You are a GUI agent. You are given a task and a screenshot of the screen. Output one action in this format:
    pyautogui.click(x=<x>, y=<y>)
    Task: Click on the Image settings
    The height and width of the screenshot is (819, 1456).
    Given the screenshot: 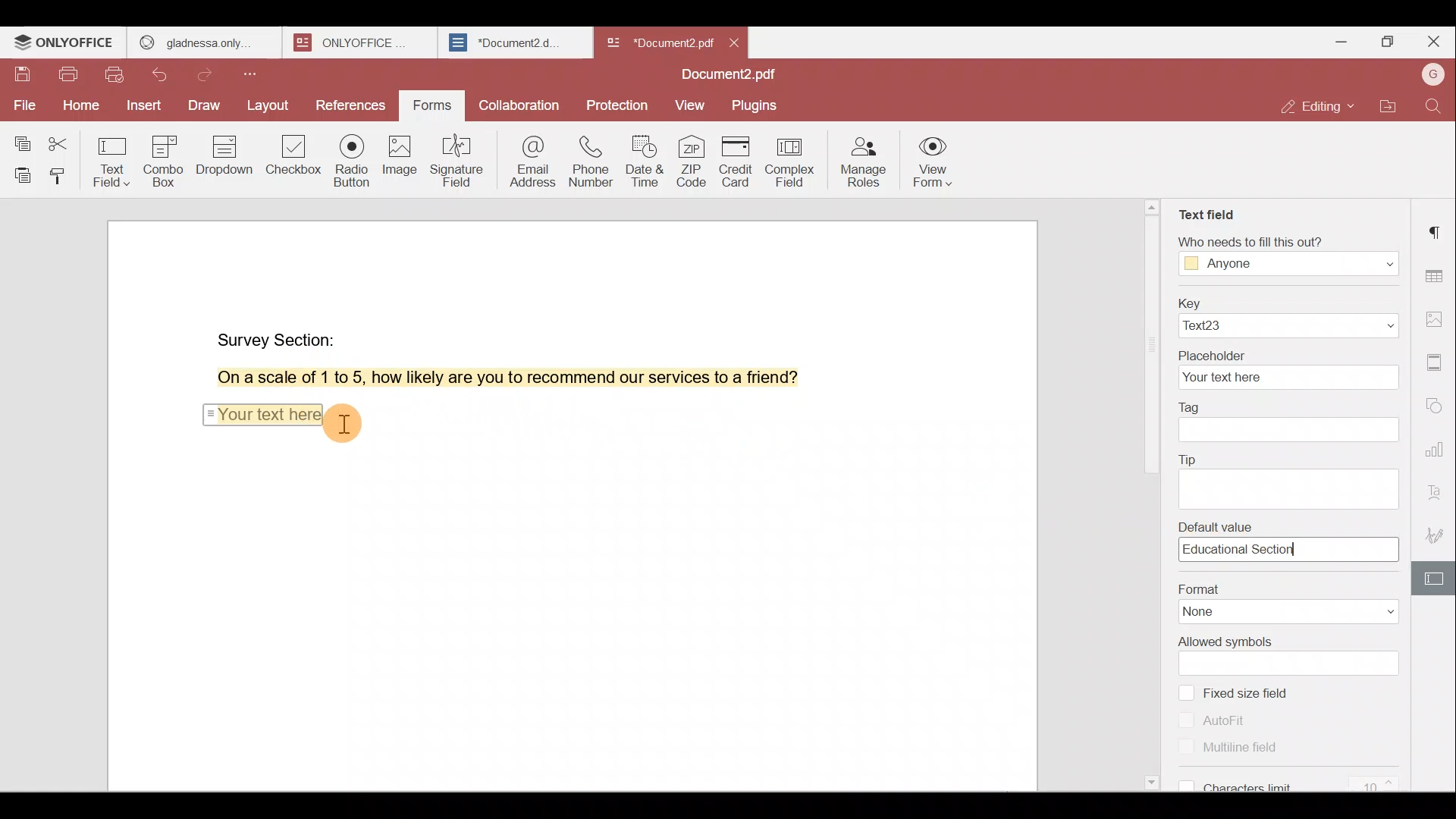 What is the action you would take?
    pyautogui.click(x=1439, y=322)
    